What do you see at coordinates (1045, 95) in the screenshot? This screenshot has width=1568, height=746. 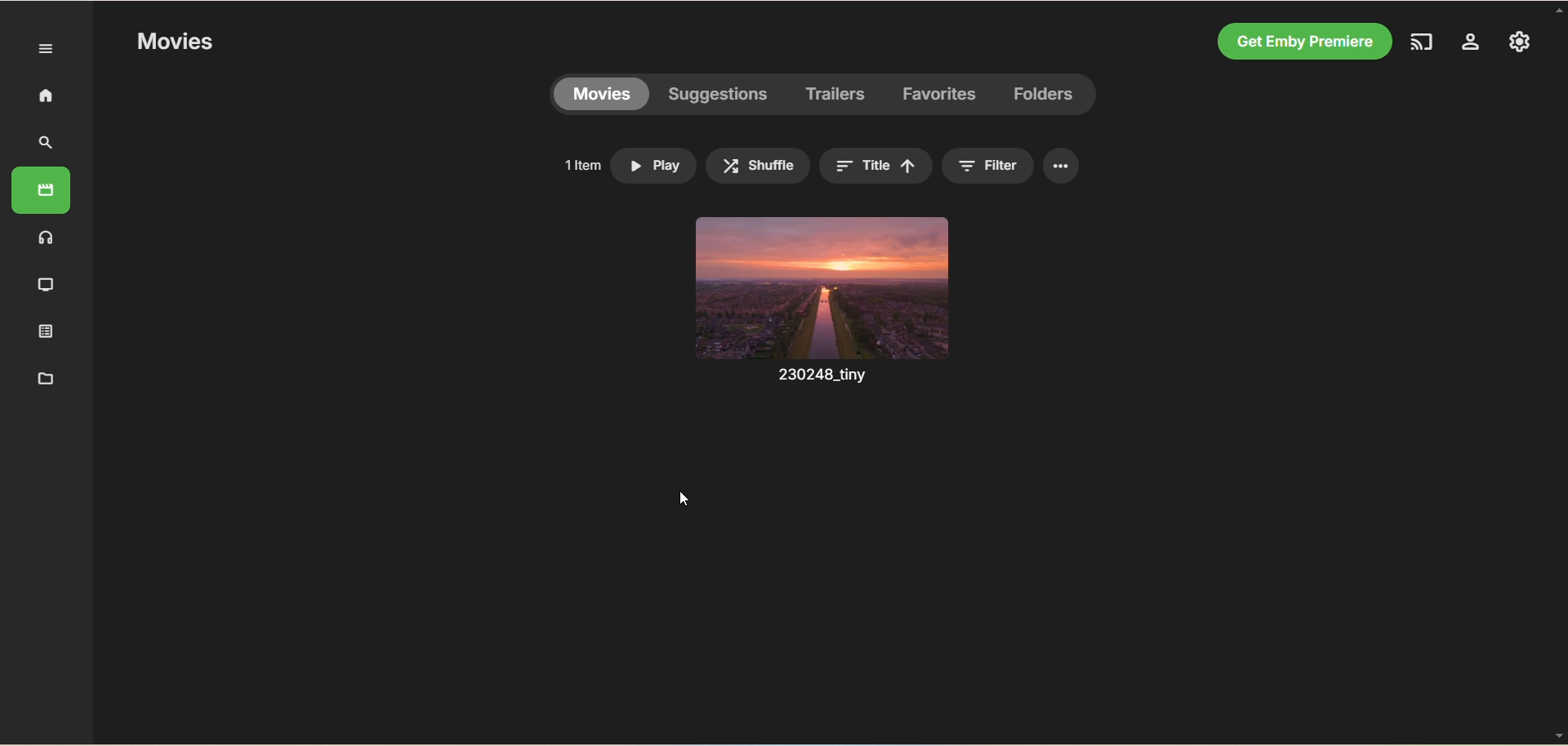 I see `folders` at bounding box center [1045, 95].